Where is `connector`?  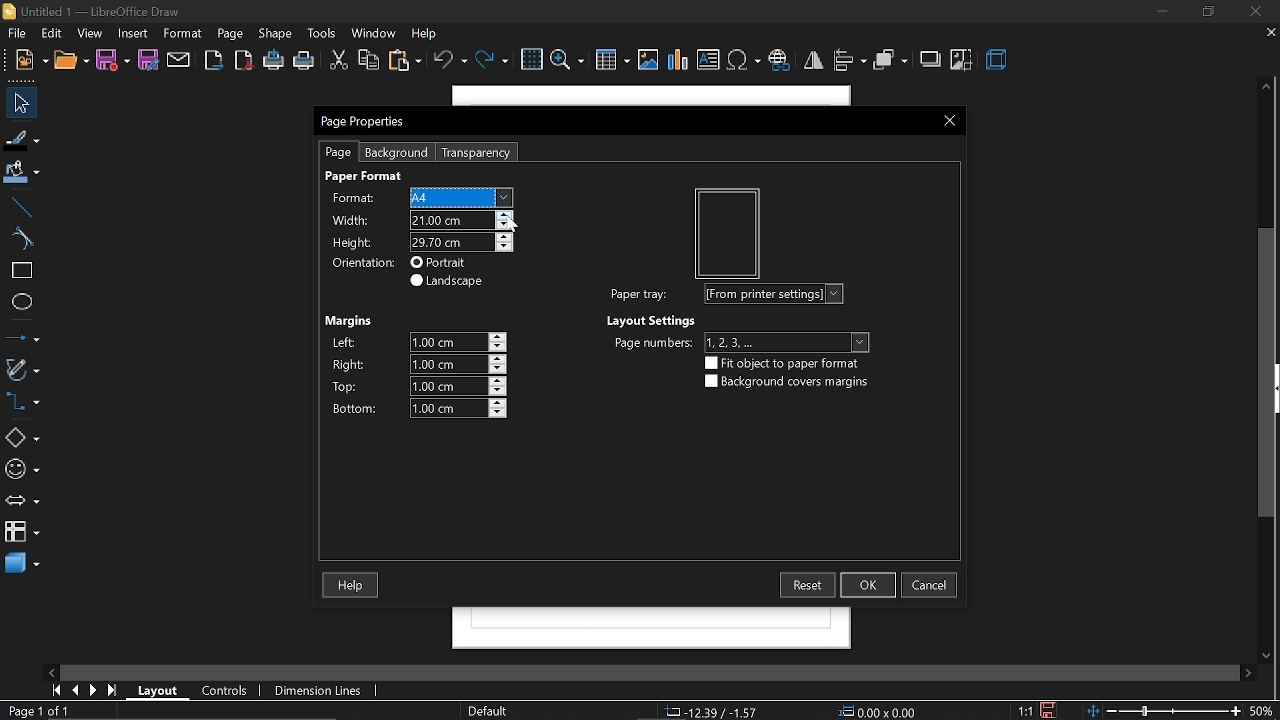 connector is located at coordinates (23, 406).